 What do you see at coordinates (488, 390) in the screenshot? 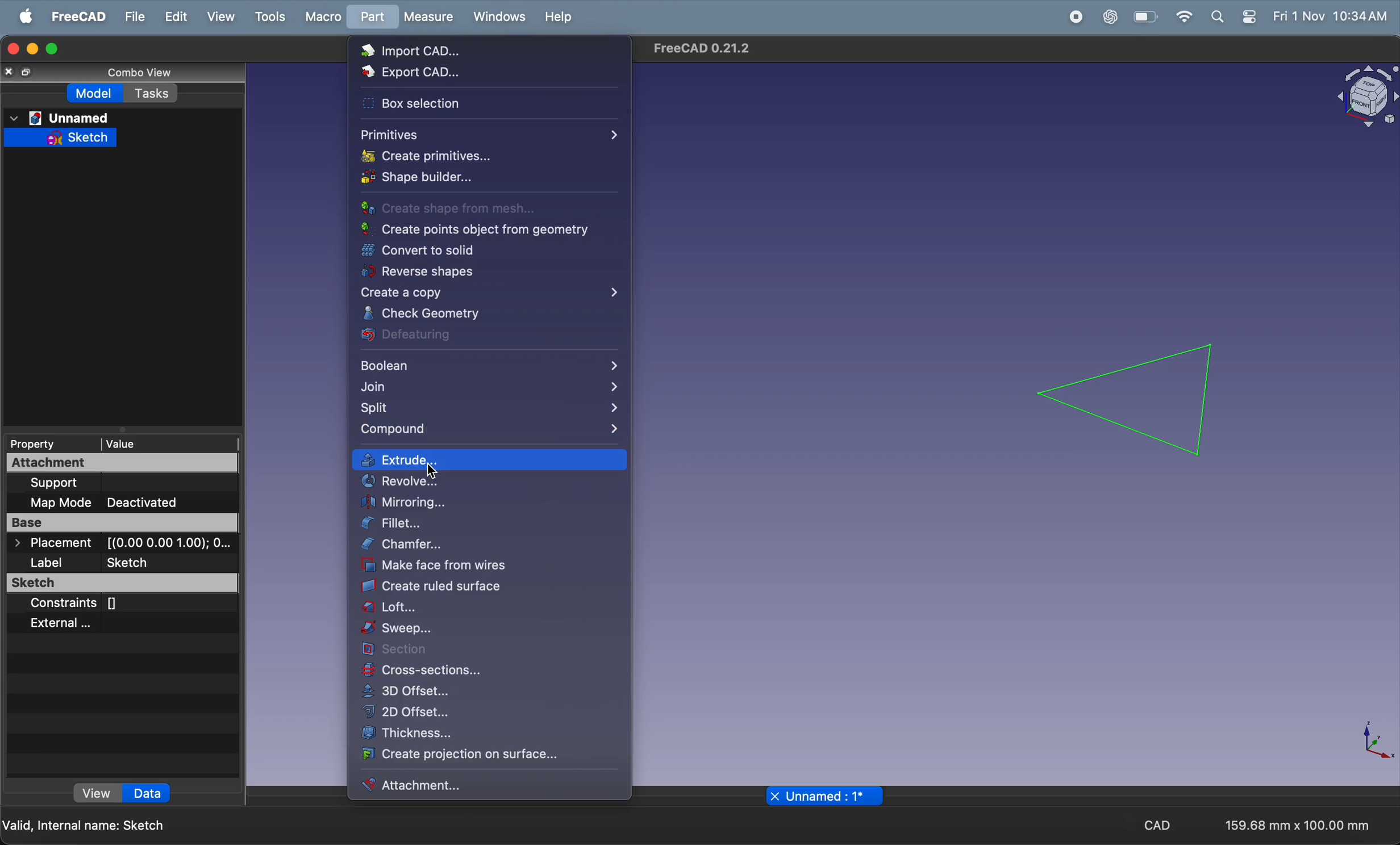
I see `join` at bounding box center [488, 390].